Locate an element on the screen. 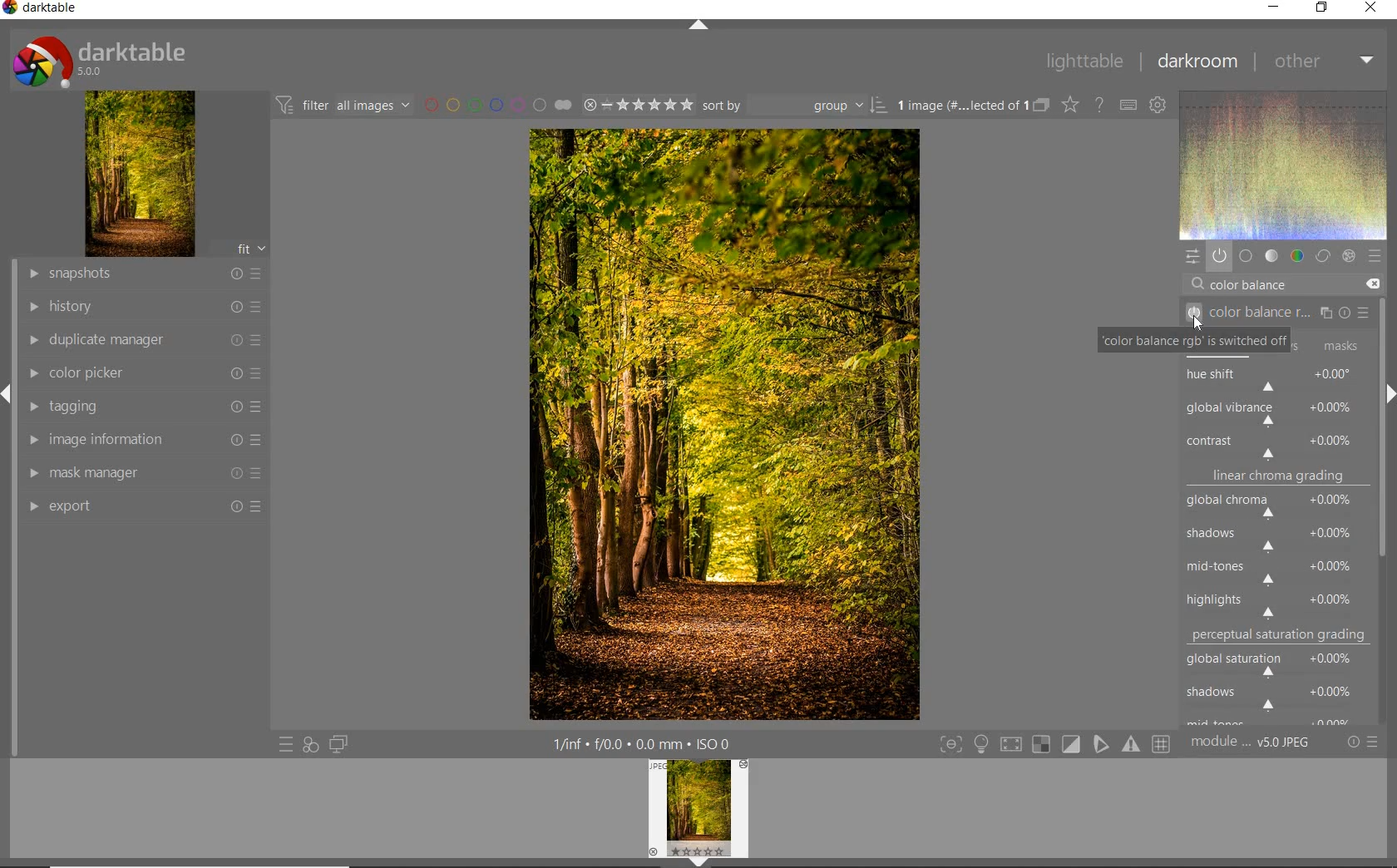 This screenshot has width=1397, height=868. COLOR BALANCE RGB 'IS SWITCHED OFF' is located at coordinates (1197, 343).